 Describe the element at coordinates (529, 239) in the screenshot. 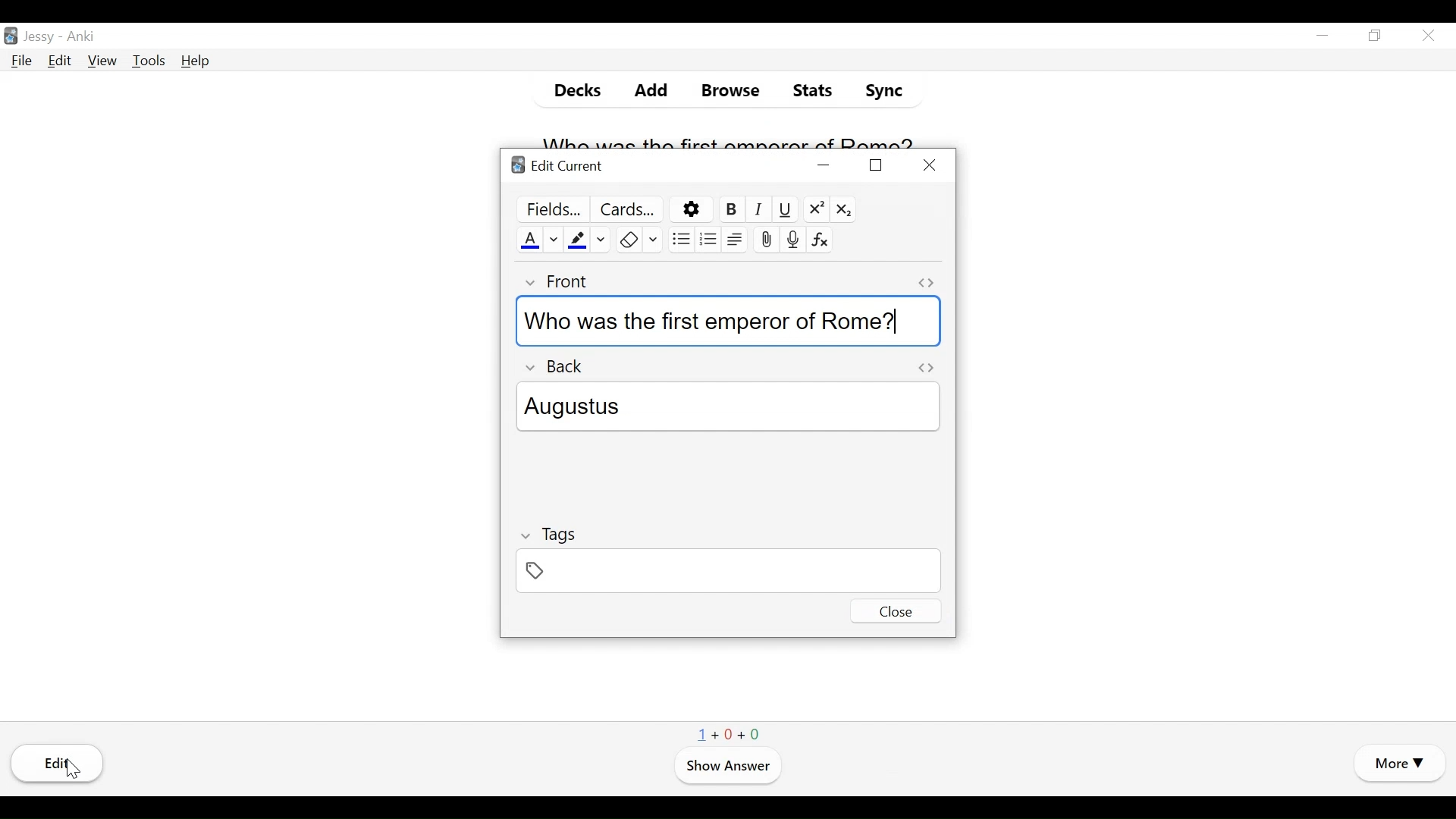

I see `Text Color` at that location.